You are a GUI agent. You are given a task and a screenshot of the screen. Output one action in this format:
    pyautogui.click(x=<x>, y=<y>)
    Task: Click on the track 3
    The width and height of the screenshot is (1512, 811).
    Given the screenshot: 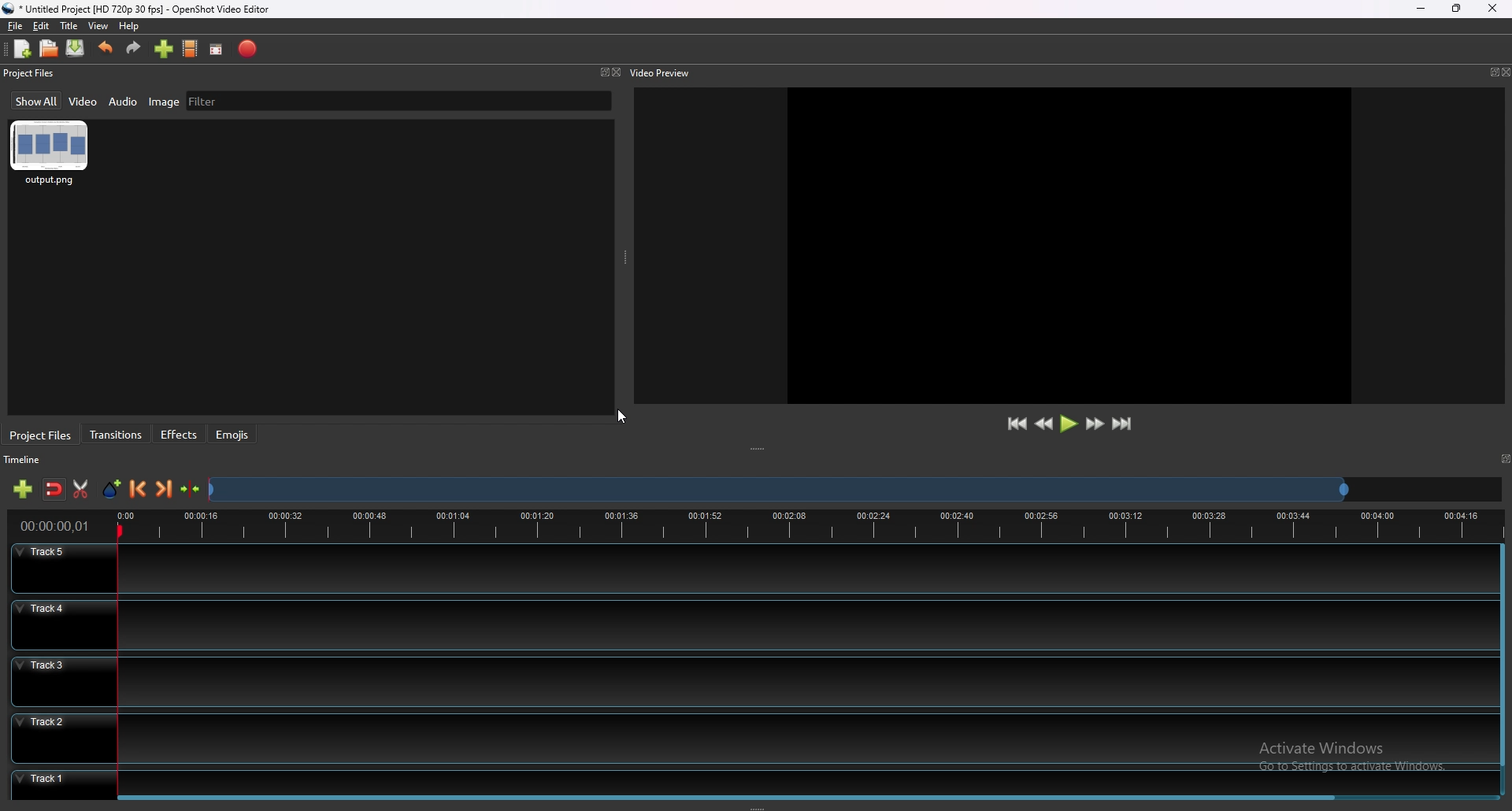 What is the action you would take?
    pyautogui.click(x=747, y=680)
    